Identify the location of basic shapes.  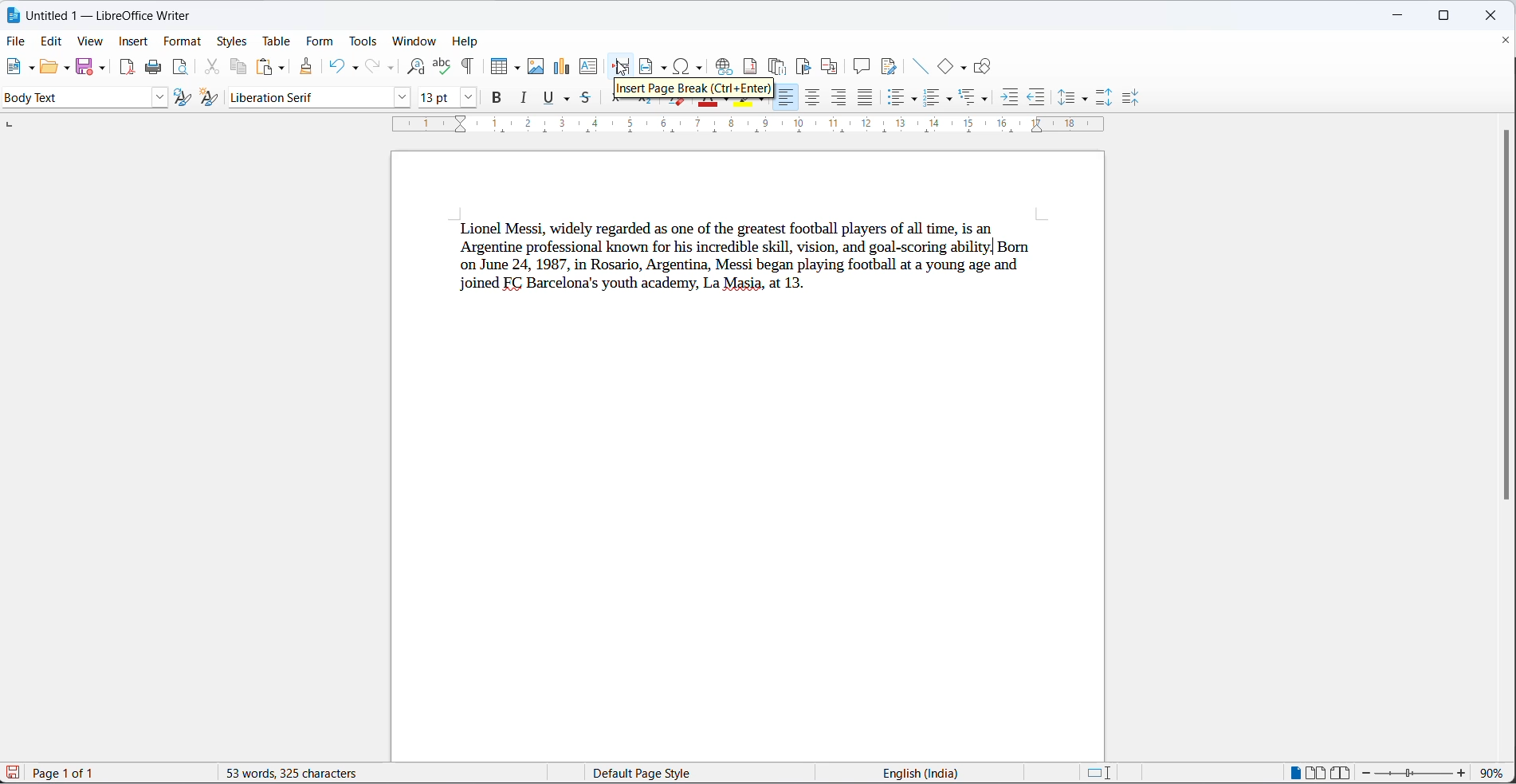
(948, 66).